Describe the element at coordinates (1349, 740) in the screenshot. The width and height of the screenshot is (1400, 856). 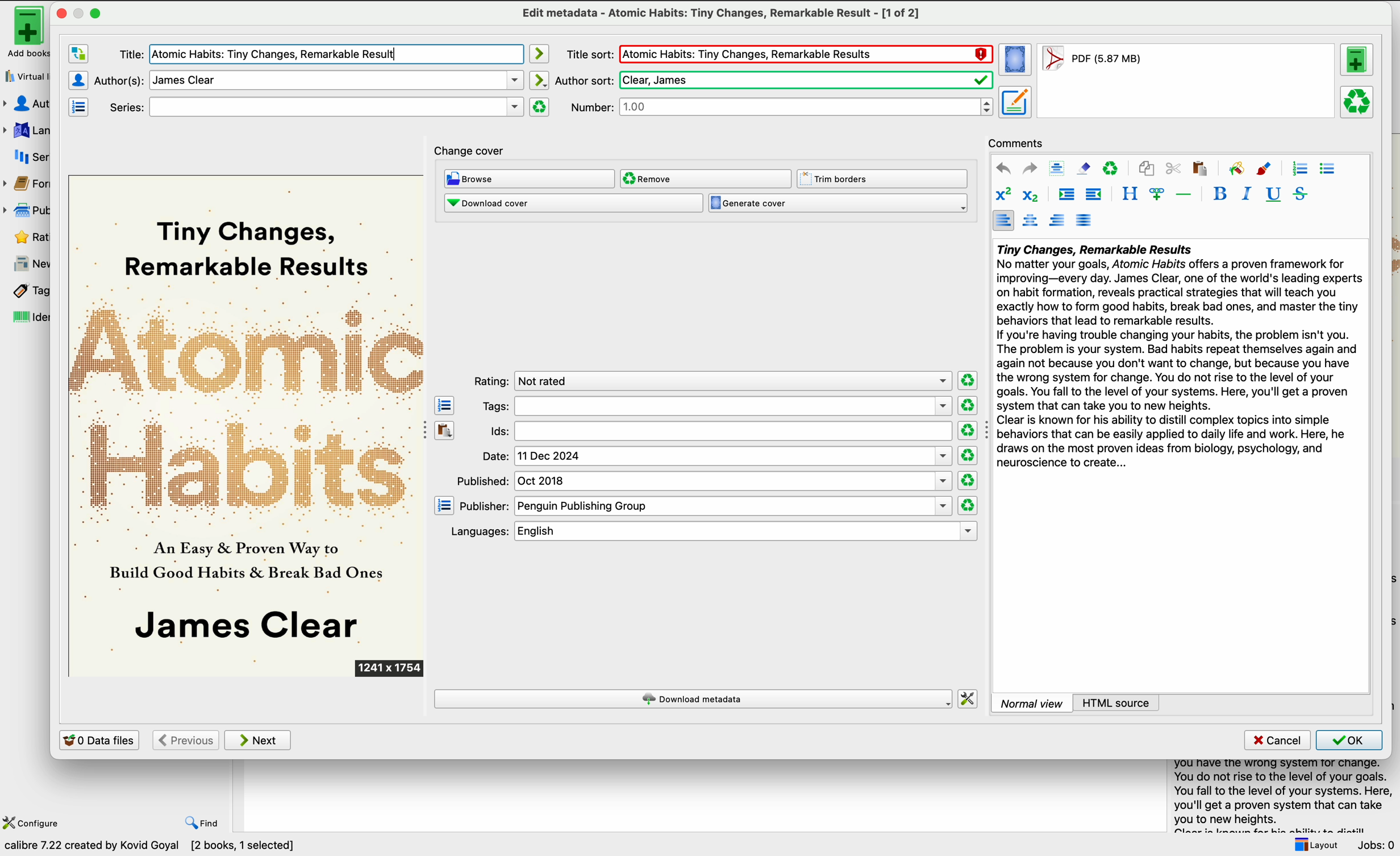
I see `OK button` at that location.